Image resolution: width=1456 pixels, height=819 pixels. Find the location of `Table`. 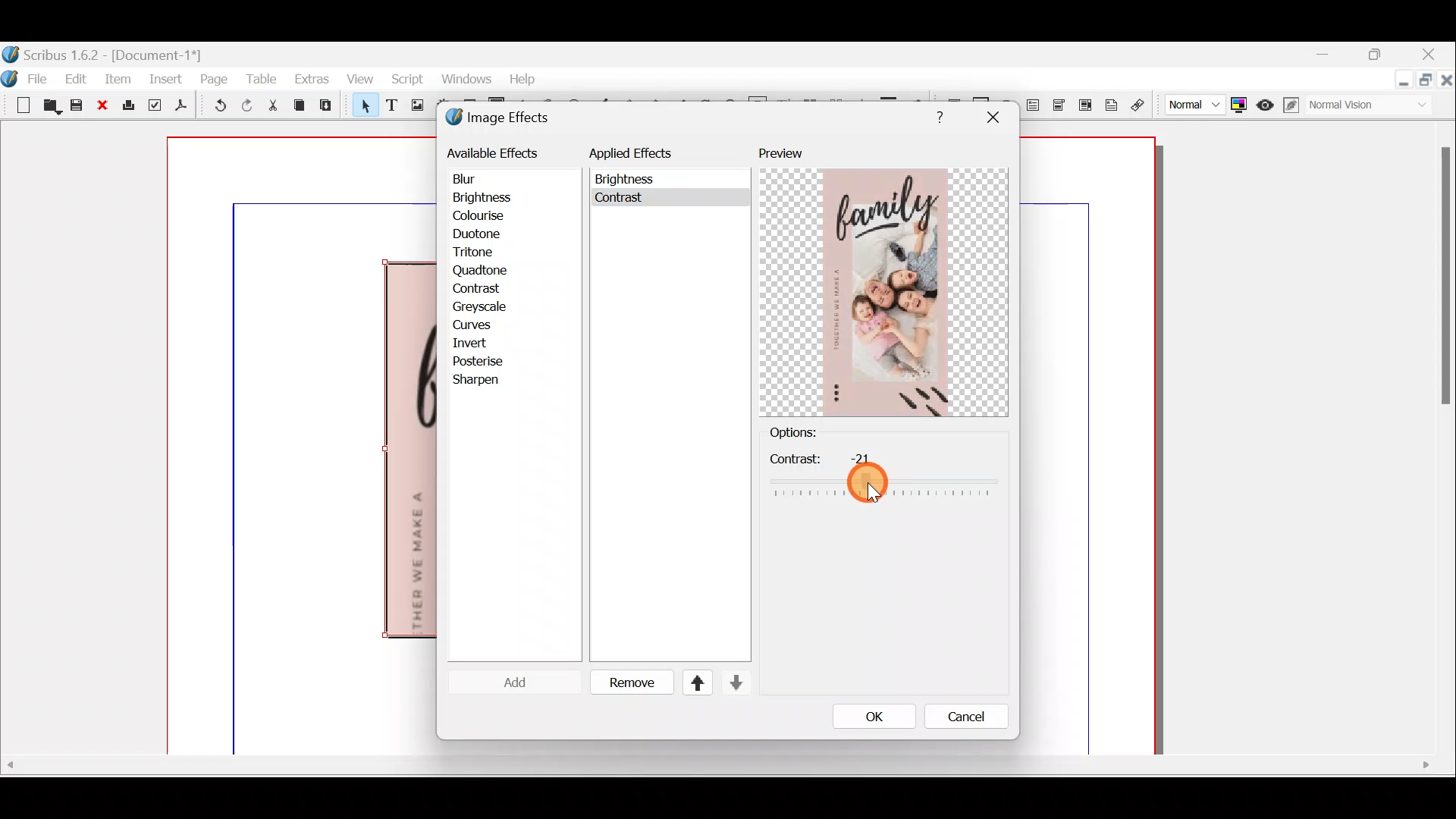

Table is located at coordinates (262, 77).